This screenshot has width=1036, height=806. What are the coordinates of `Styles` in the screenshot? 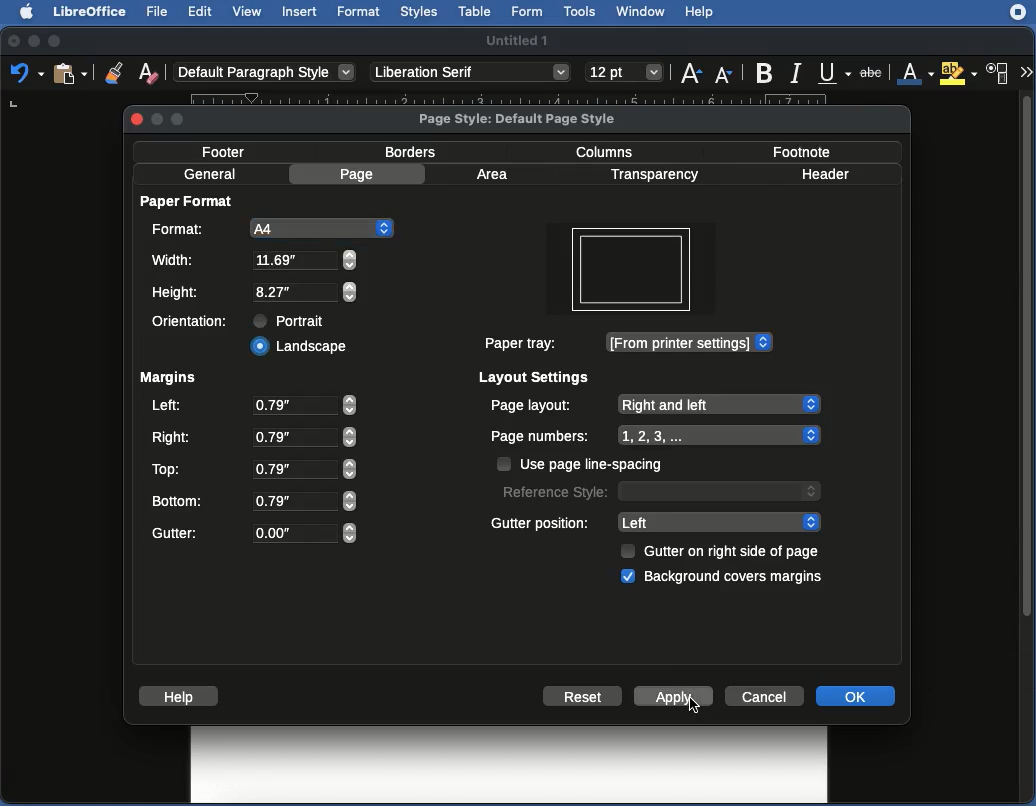 It's located at (420, 12).